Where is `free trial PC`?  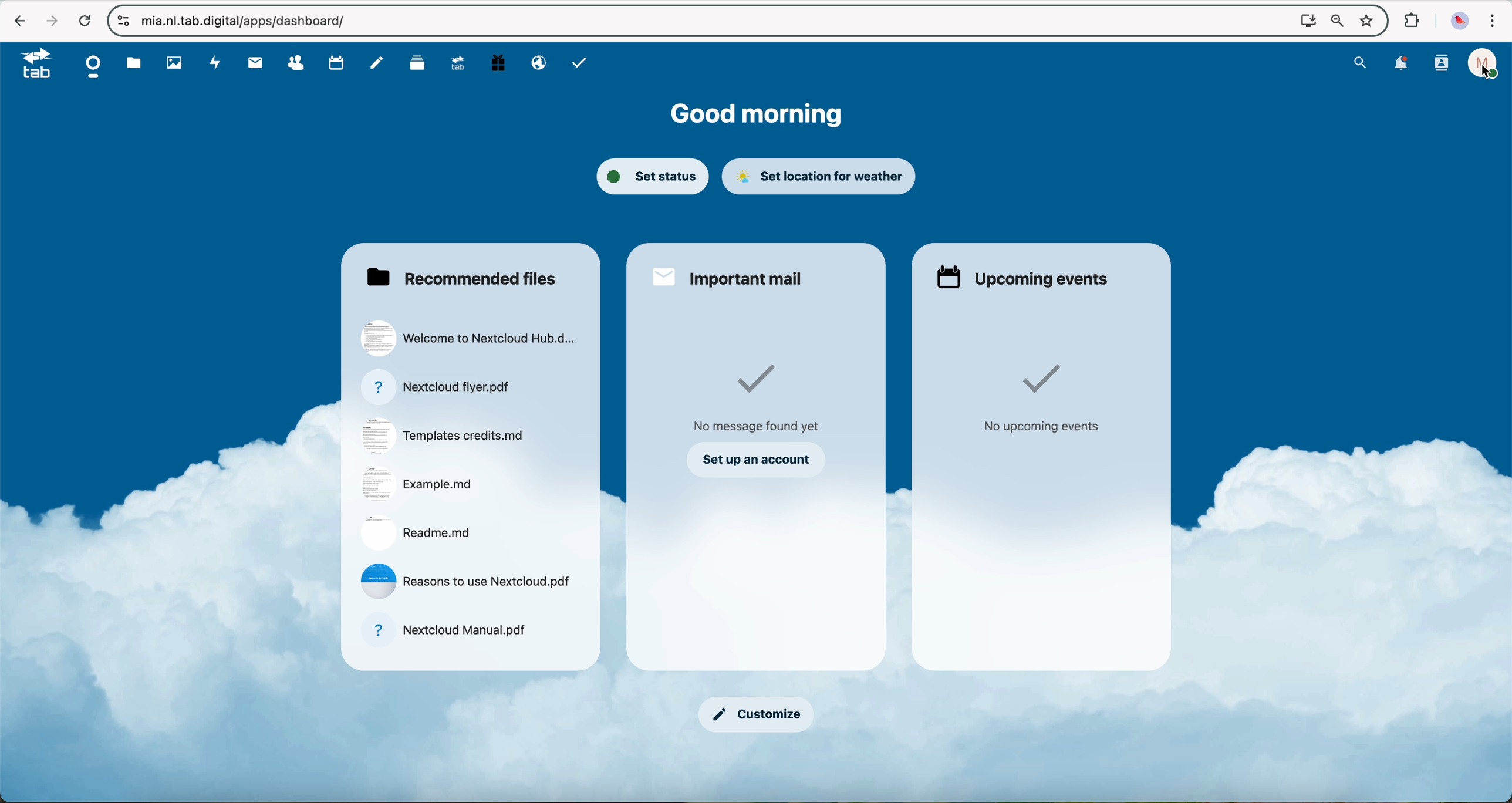
free trial PC is located at coordinates (500, 65).